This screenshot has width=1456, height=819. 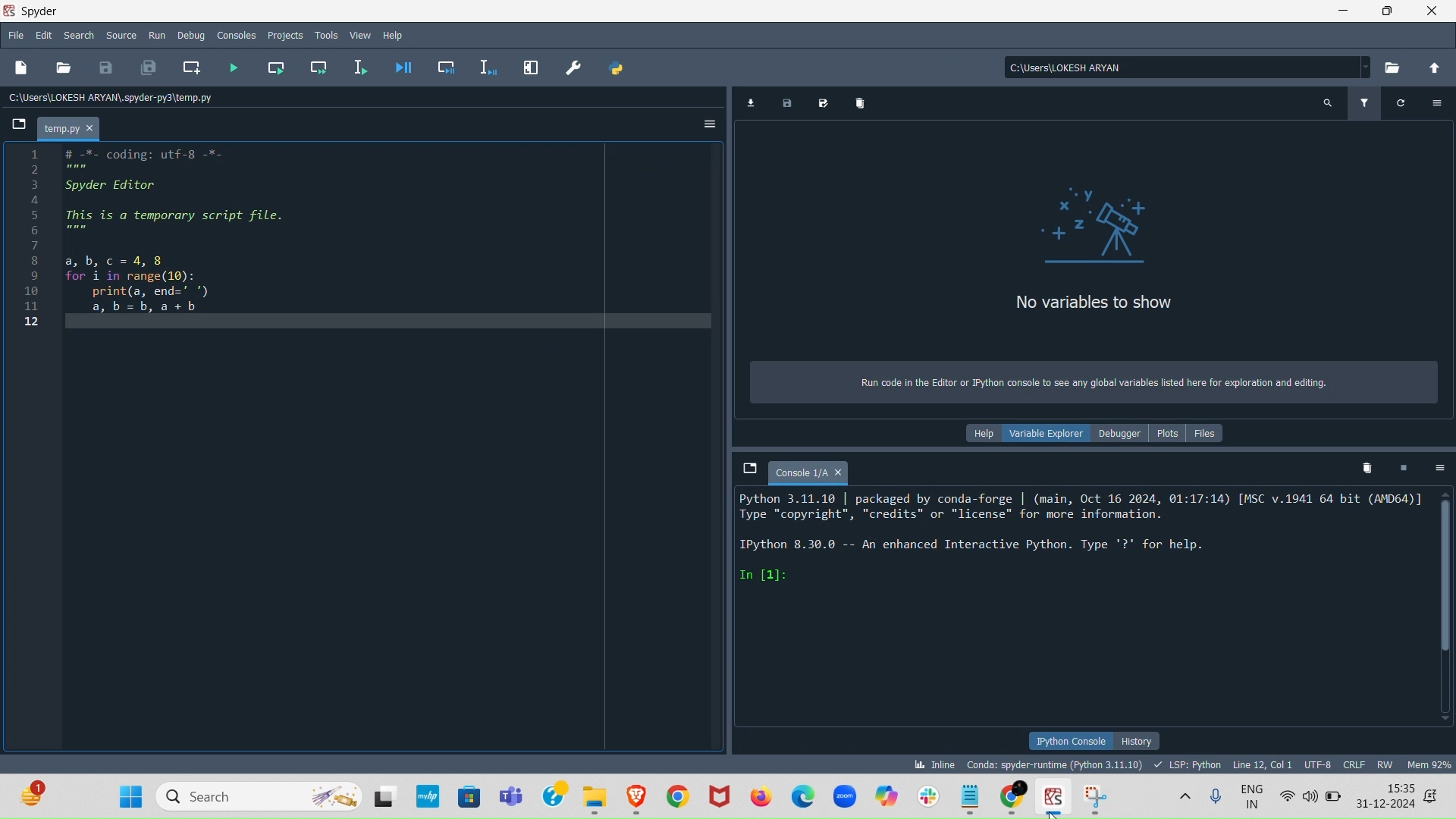 What do you see at coordinates (728, 797) in the screenshot?
I see `Wndows bar` at bounding box center [728, 797].